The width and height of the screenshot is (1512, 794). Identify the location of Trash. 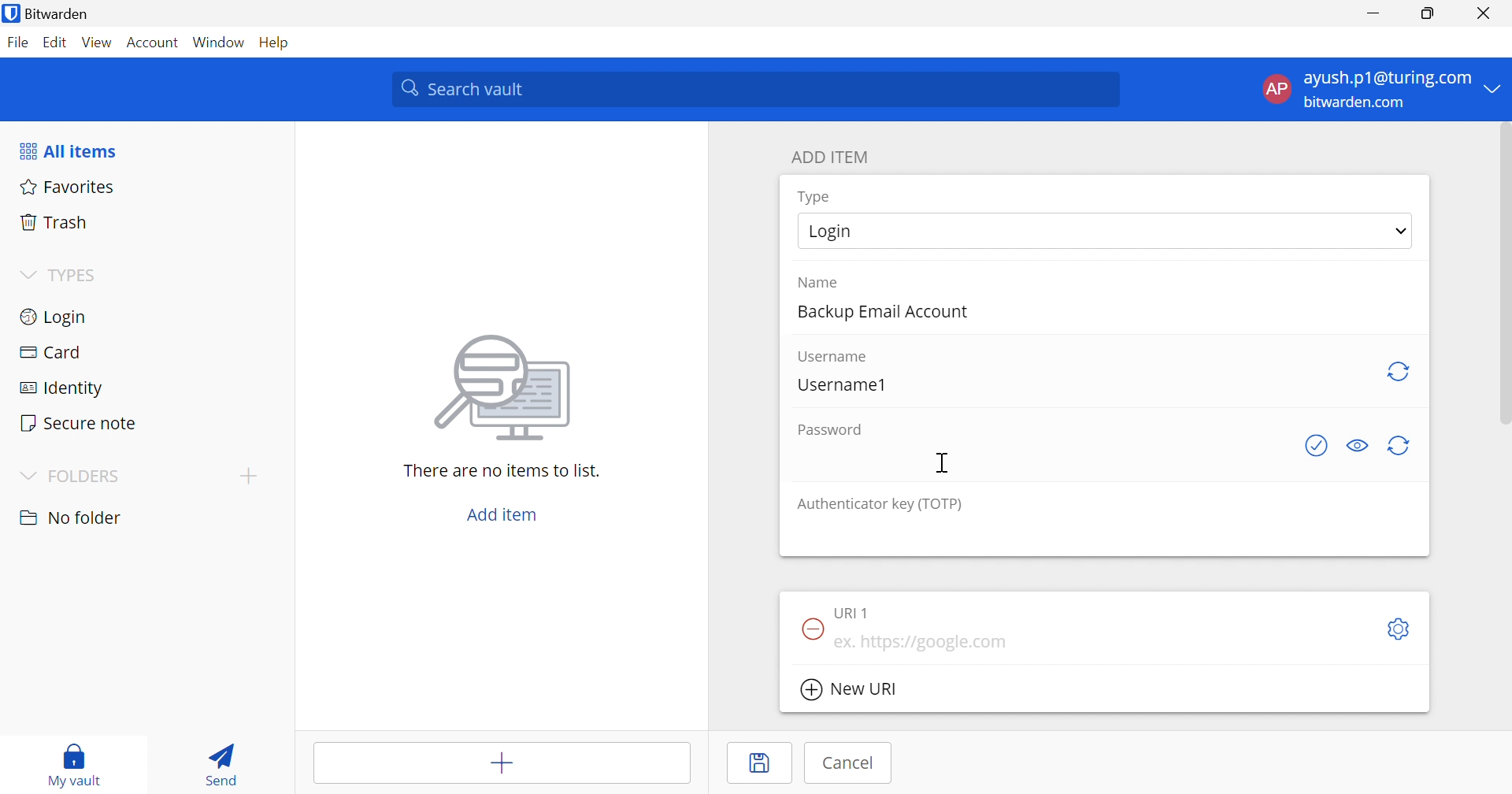
(55, 221).